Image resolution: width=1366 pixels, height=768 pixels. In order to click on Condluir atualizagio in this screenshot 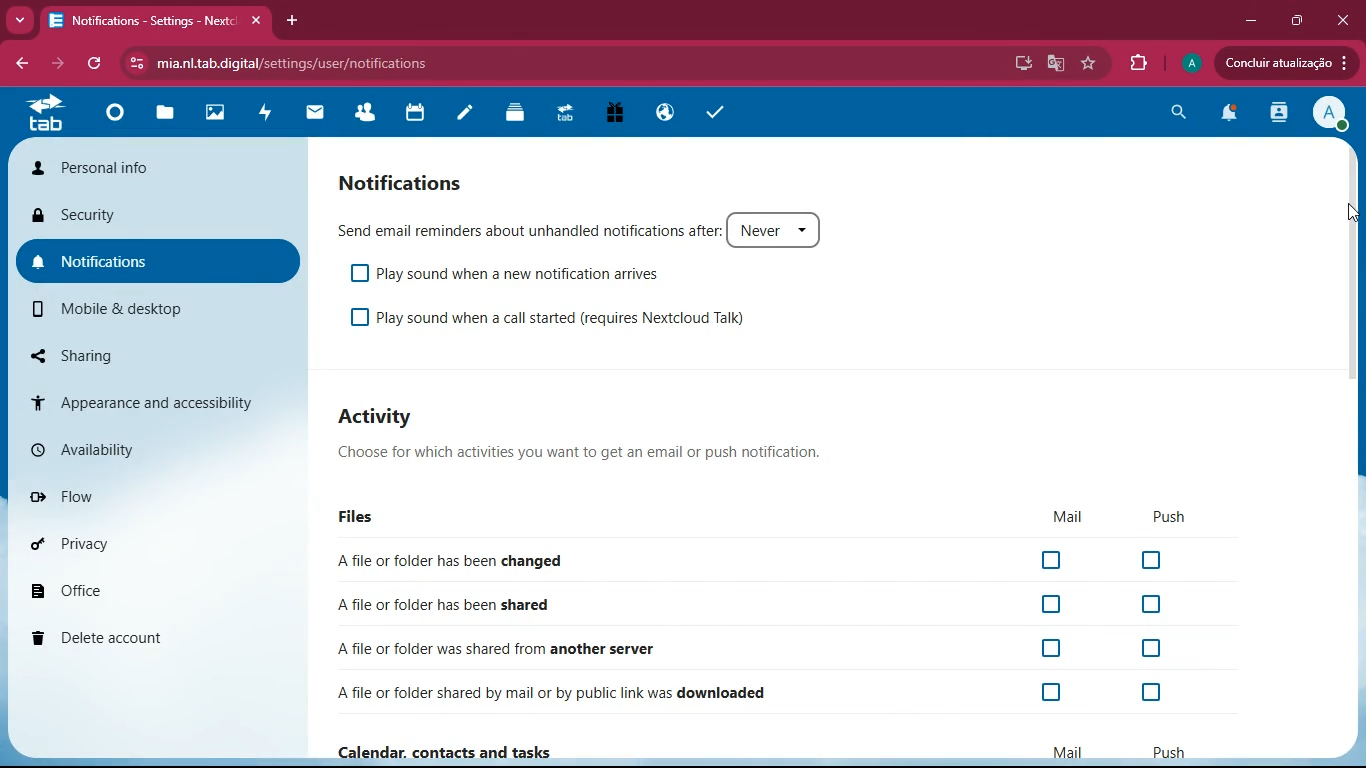, I will do `click(1293, 65)`.